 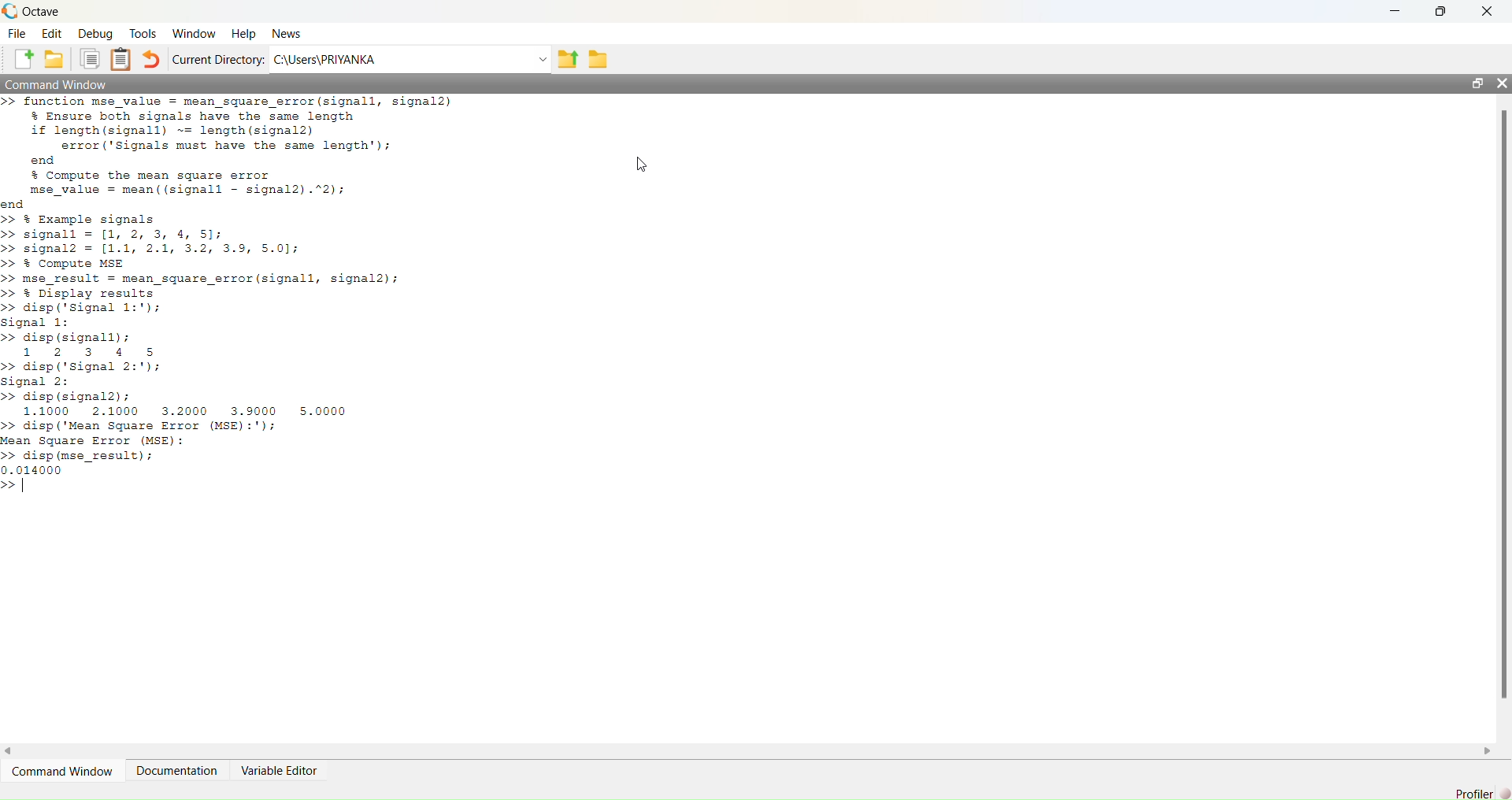 What do you see at coordinates (227, 293) in the screenshot?
I see `Code to check signals have the same length and to compute the mean square error (MSE) between two signals "signal1" and "signal2"` at bounding box center [227, 293].